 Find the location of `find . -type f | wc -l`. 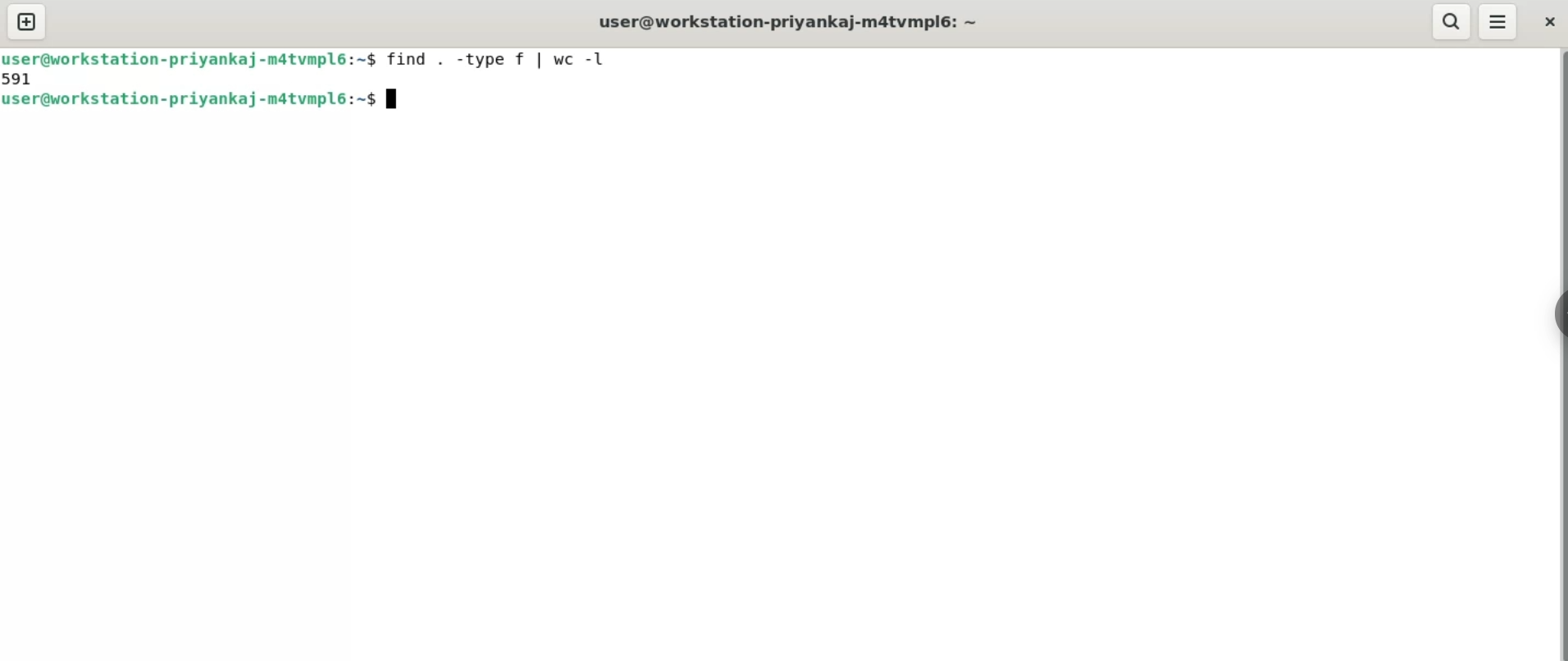

find . -type f | wc -l is located at coordinates (491, 58).